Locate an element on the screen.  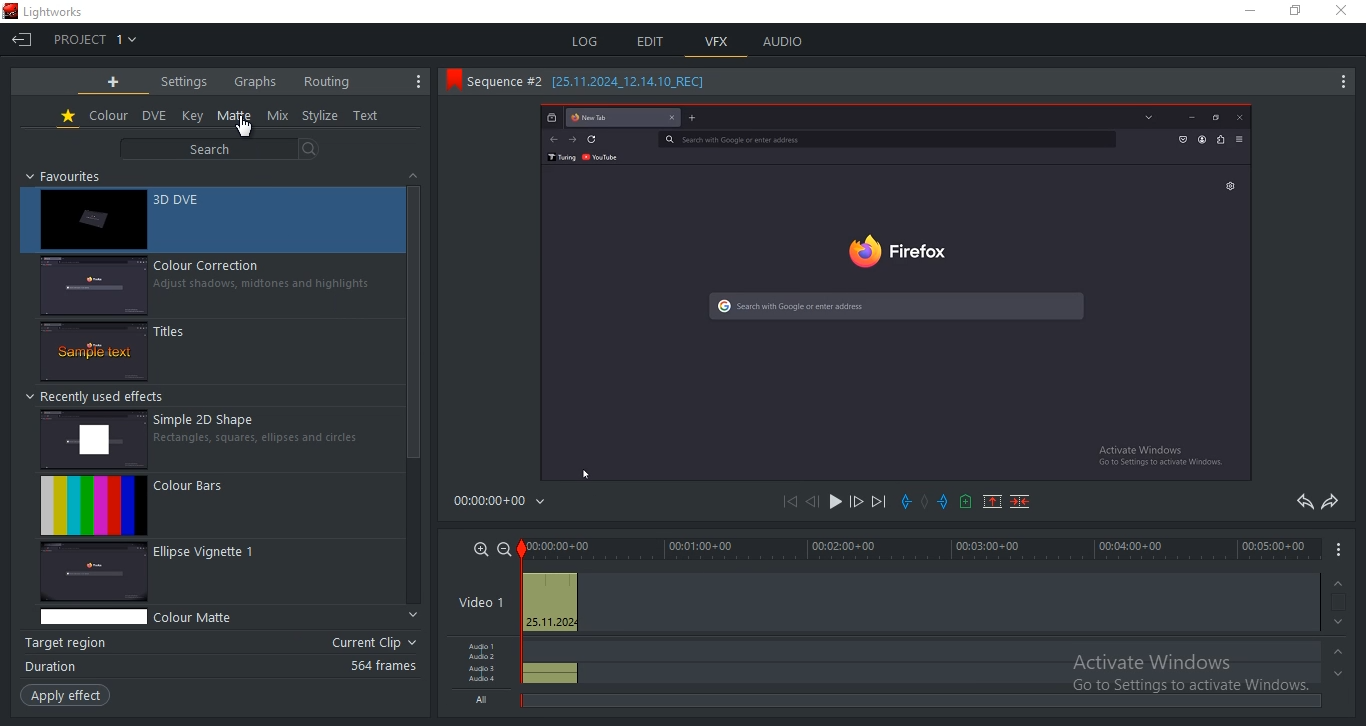
add an in mark is located at coordinates (907, 502).